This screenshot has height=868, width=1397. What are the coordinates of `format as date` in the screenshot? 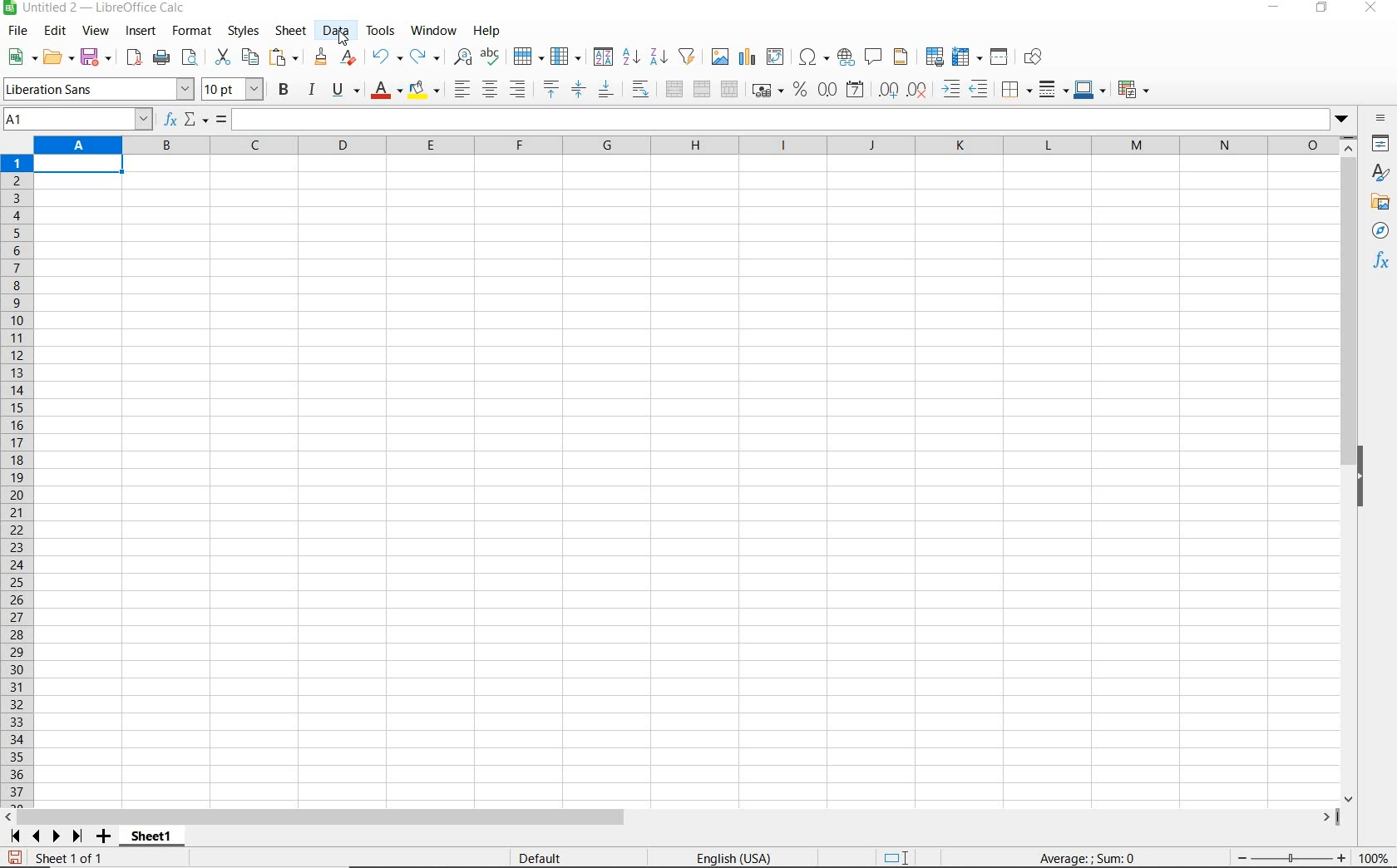 It's located at (856, 89).